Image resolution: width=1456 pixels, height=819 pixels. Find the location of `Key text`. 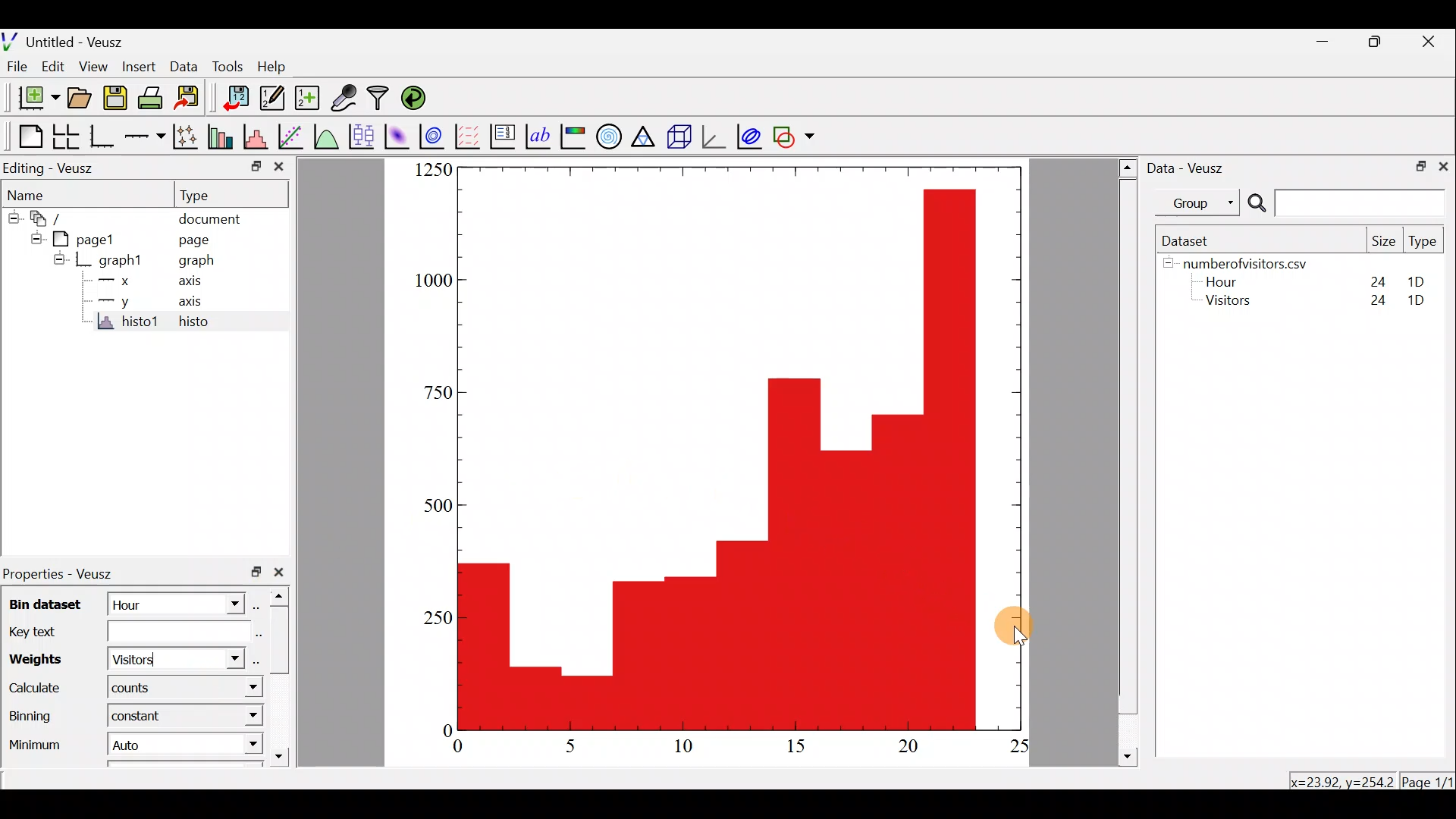

Key text is located at coordinates (123, 633).